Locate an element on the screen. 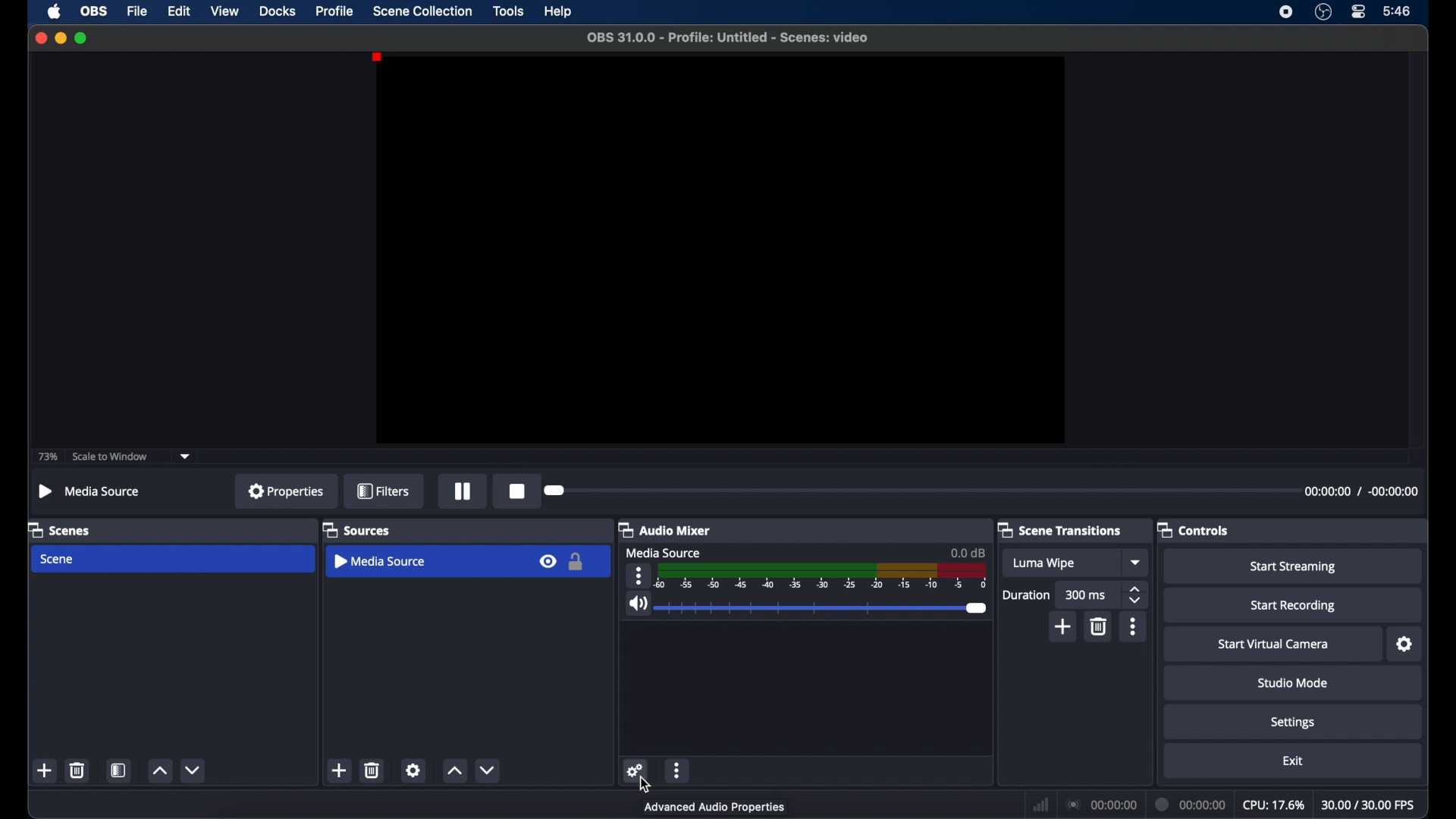  close is located at coordinates (40, 38).